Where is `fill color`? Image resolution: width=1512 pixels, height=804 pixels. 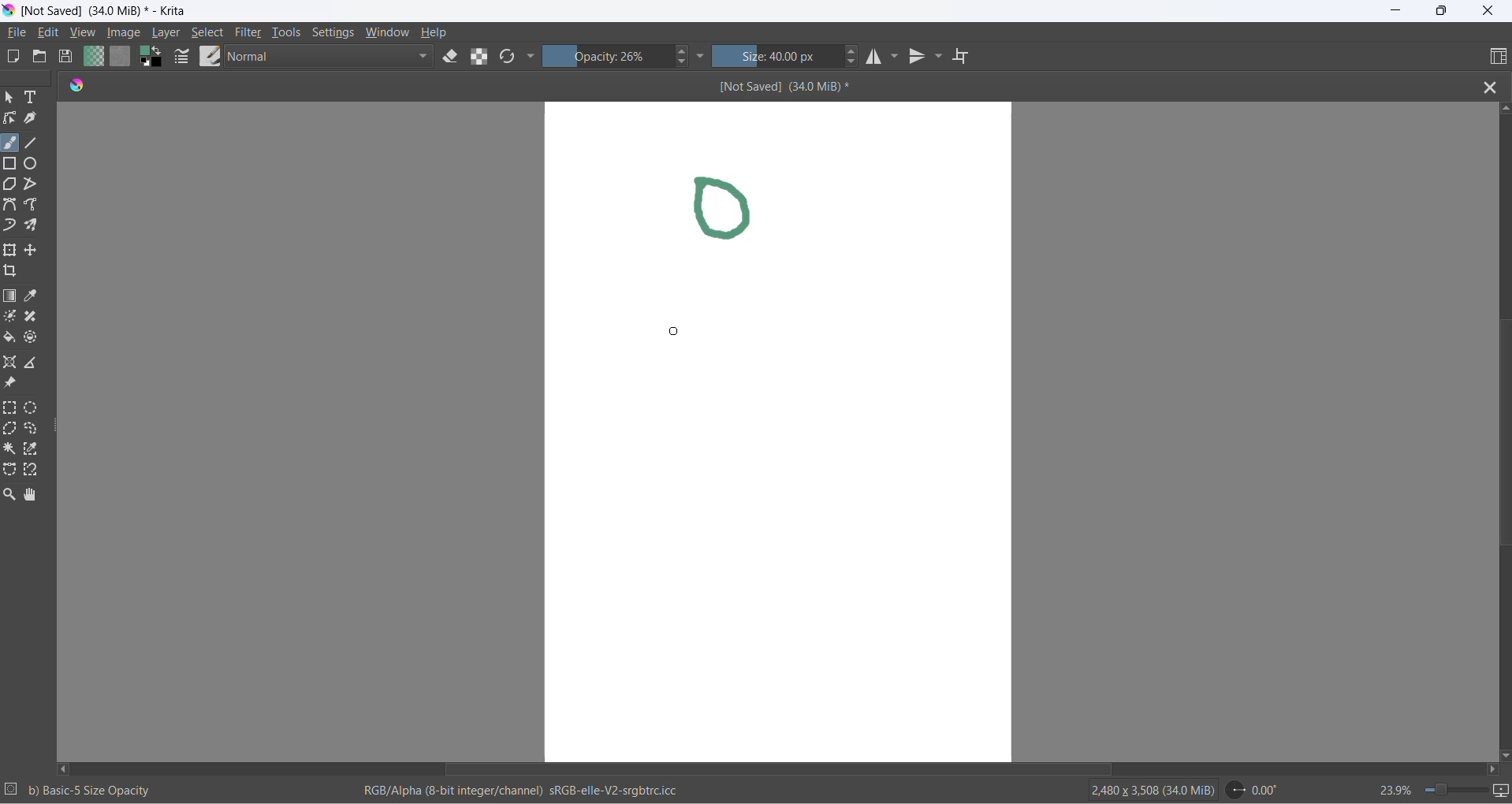 fill color is located at coordinates (12, 340).